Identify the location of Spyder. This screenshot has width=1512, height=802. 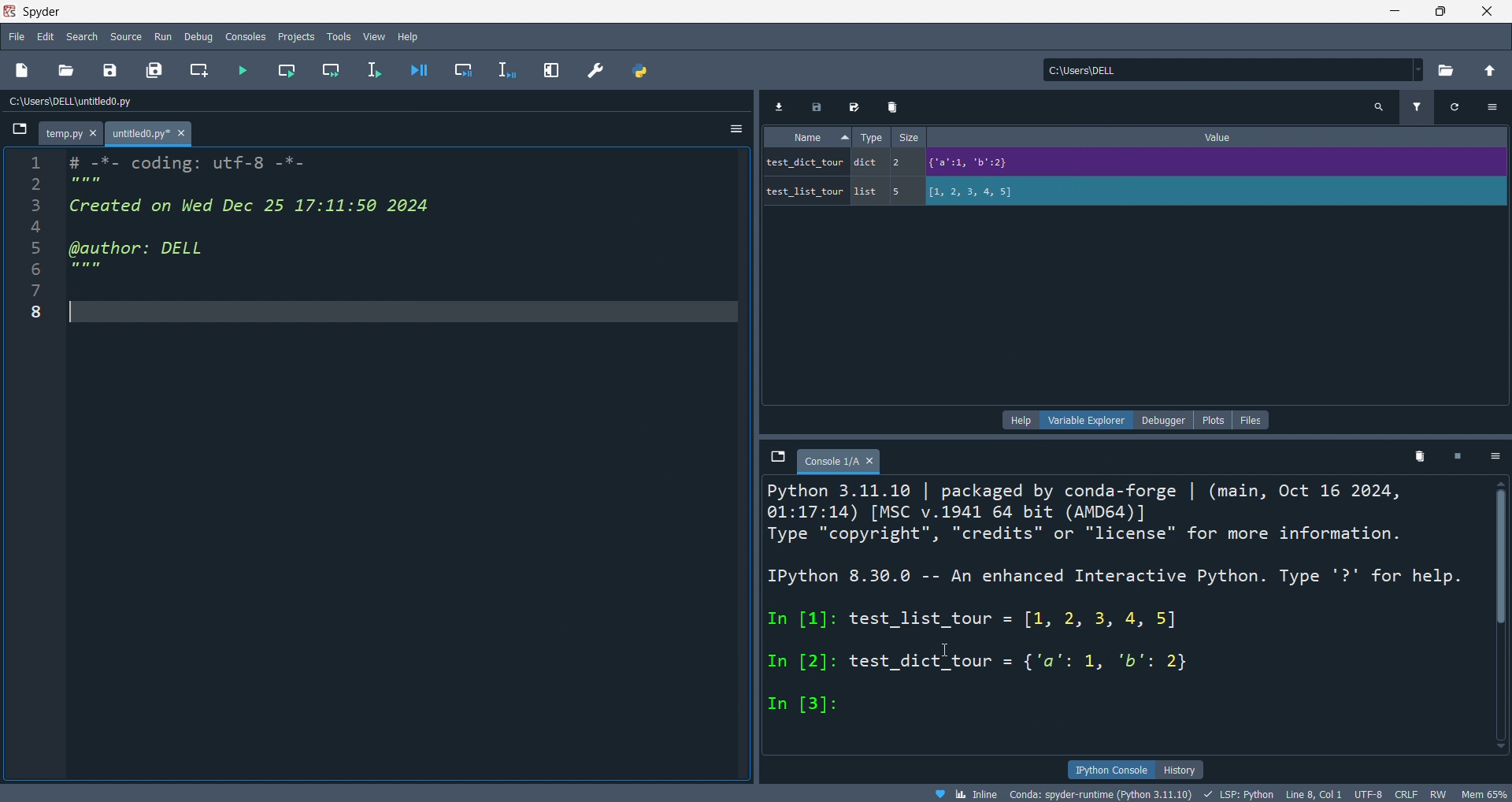
(682, 10).